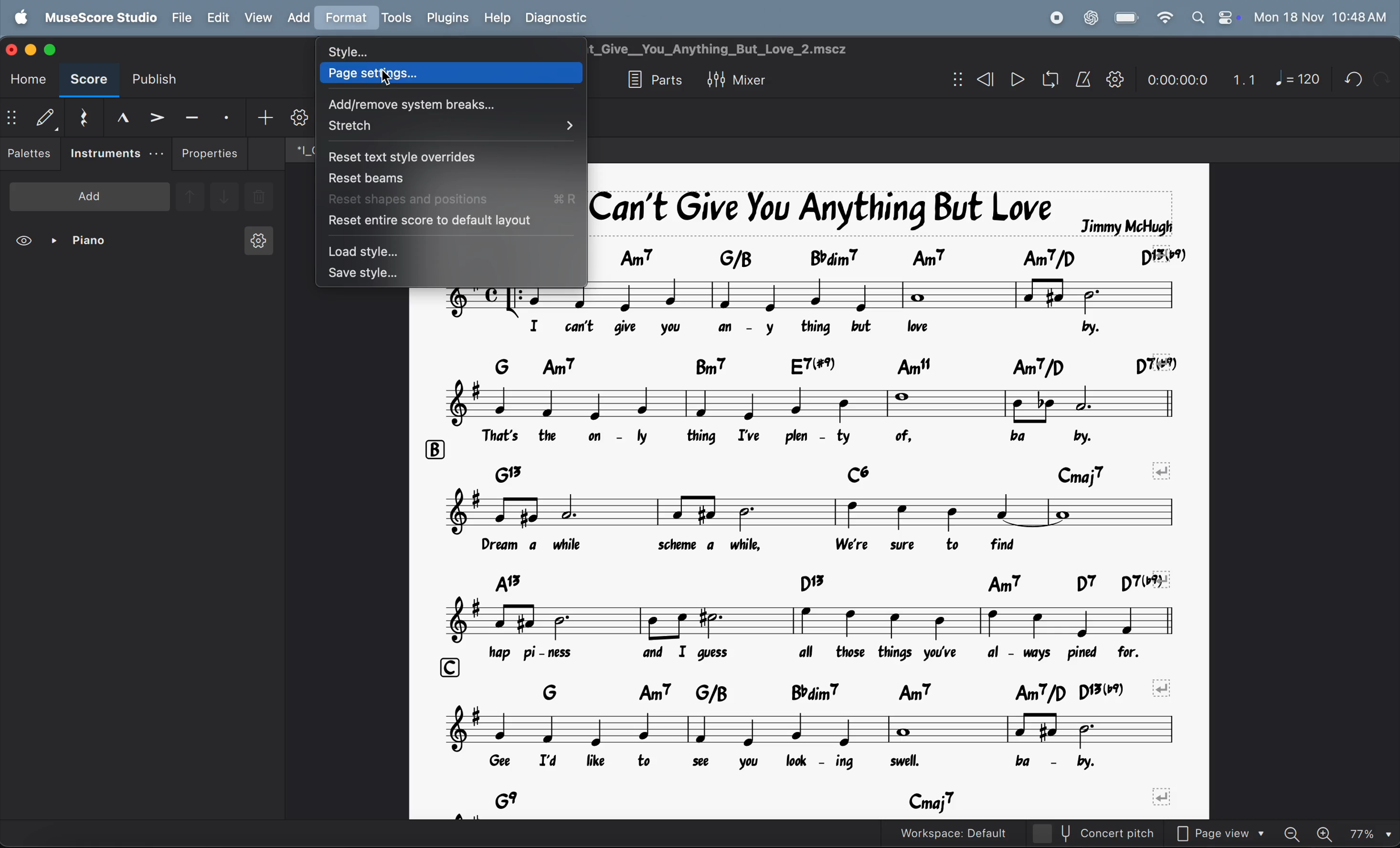 Image resolution: width=1400 pixels, height=848 pixels. I want to click on zoom in, so click(1327, 832).